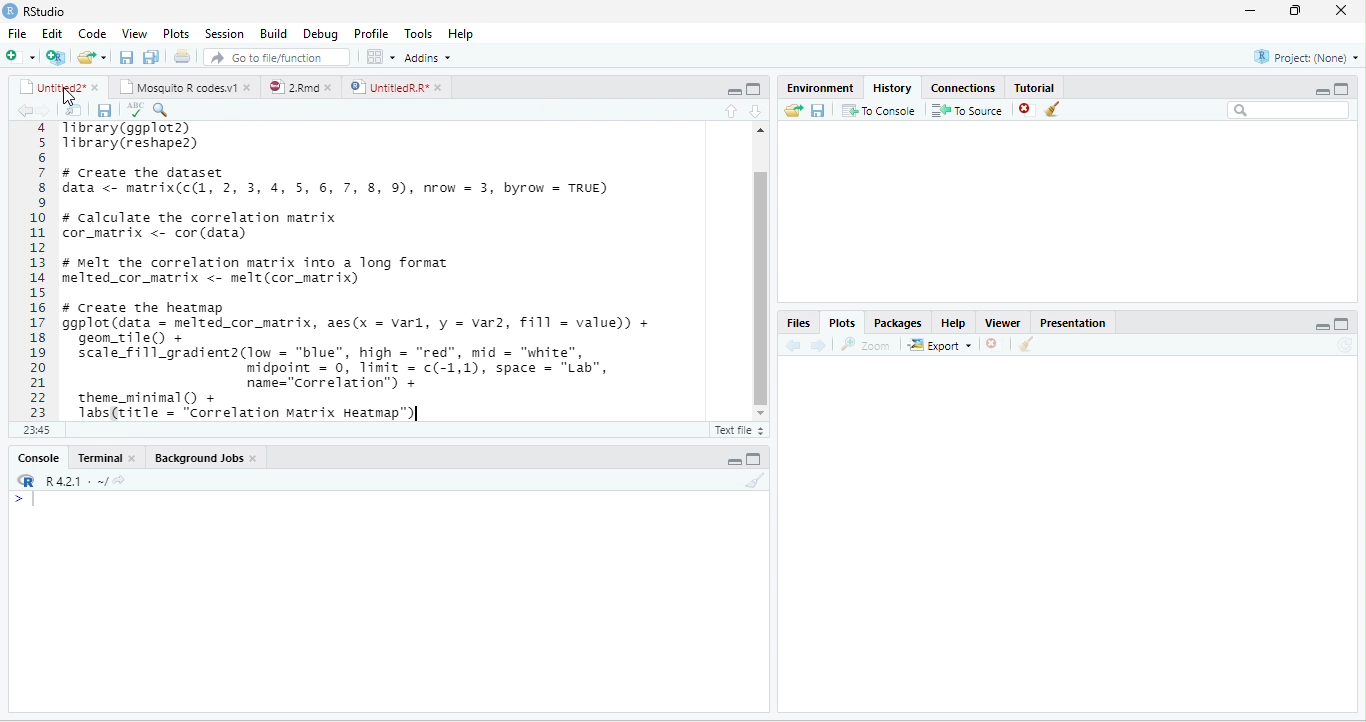  I want to click on , so click(1305, 323).